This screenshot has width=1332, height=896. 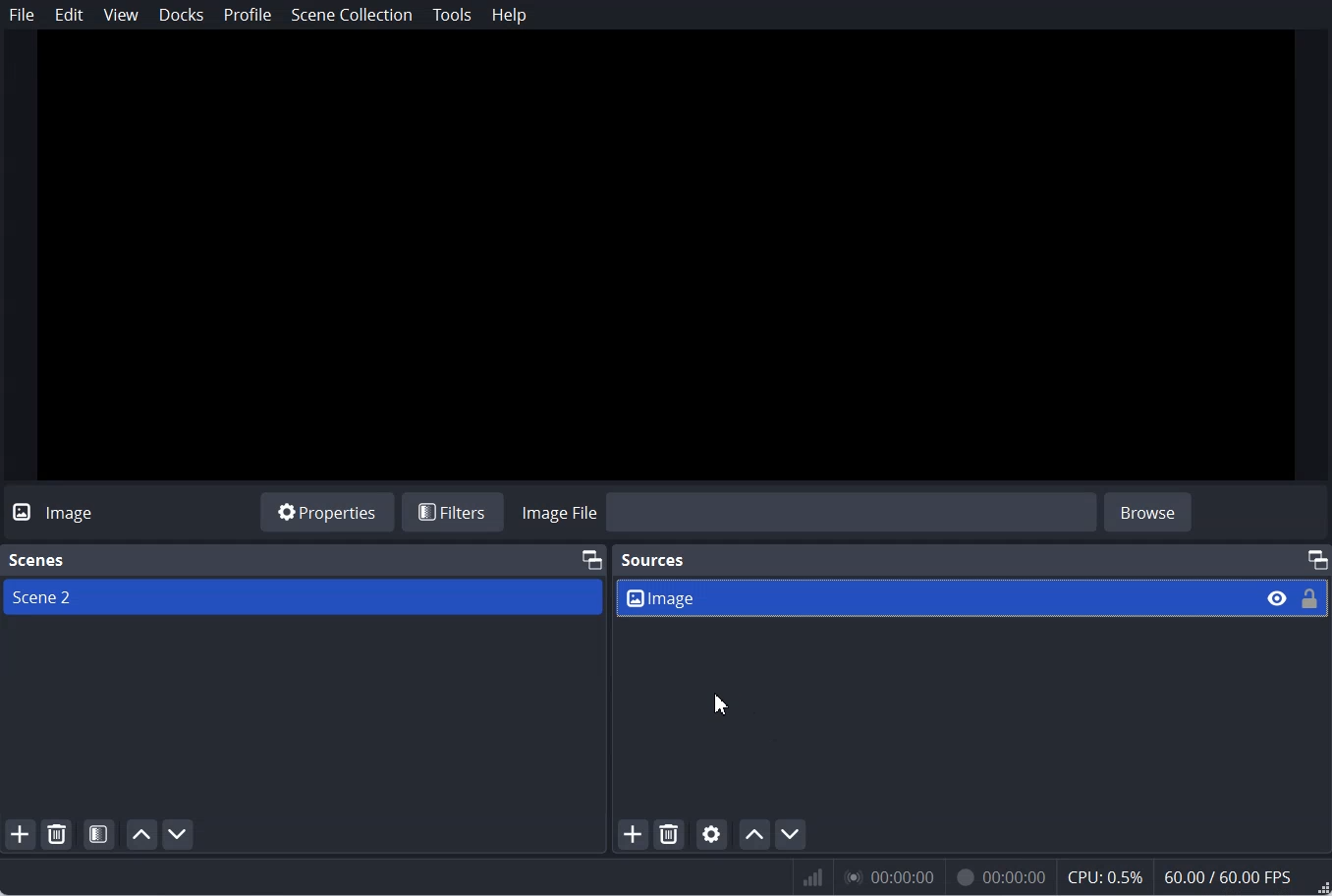 What do you see at coordinates (327, 512) in the screenshot?
I see `Properties` at bounding box center [327, 512].